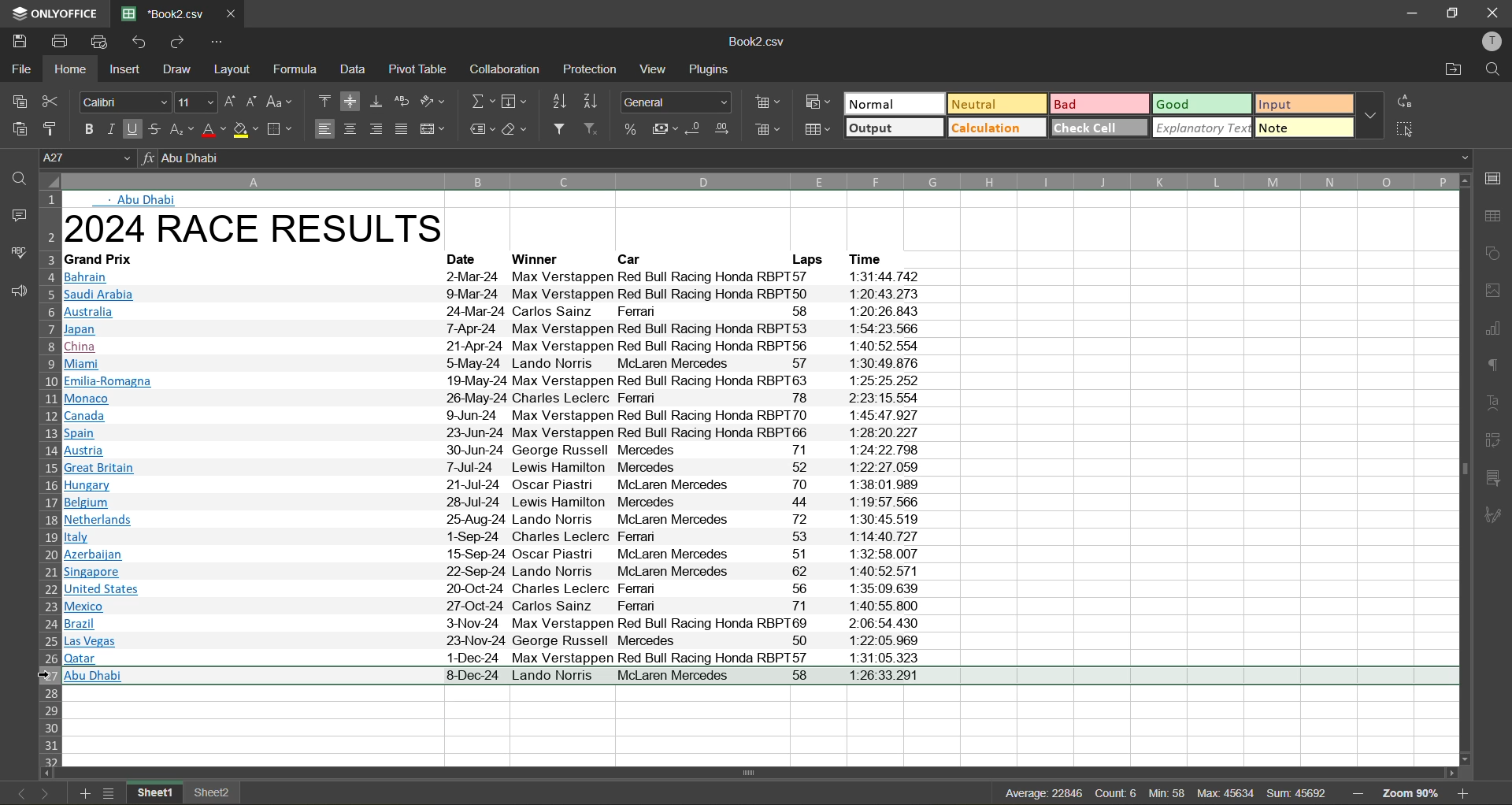 The height and width of the screenshot is (805, 1512). Describe the element at coordinates (254, 710) in the screenshot. I see `selected cell` at that location.